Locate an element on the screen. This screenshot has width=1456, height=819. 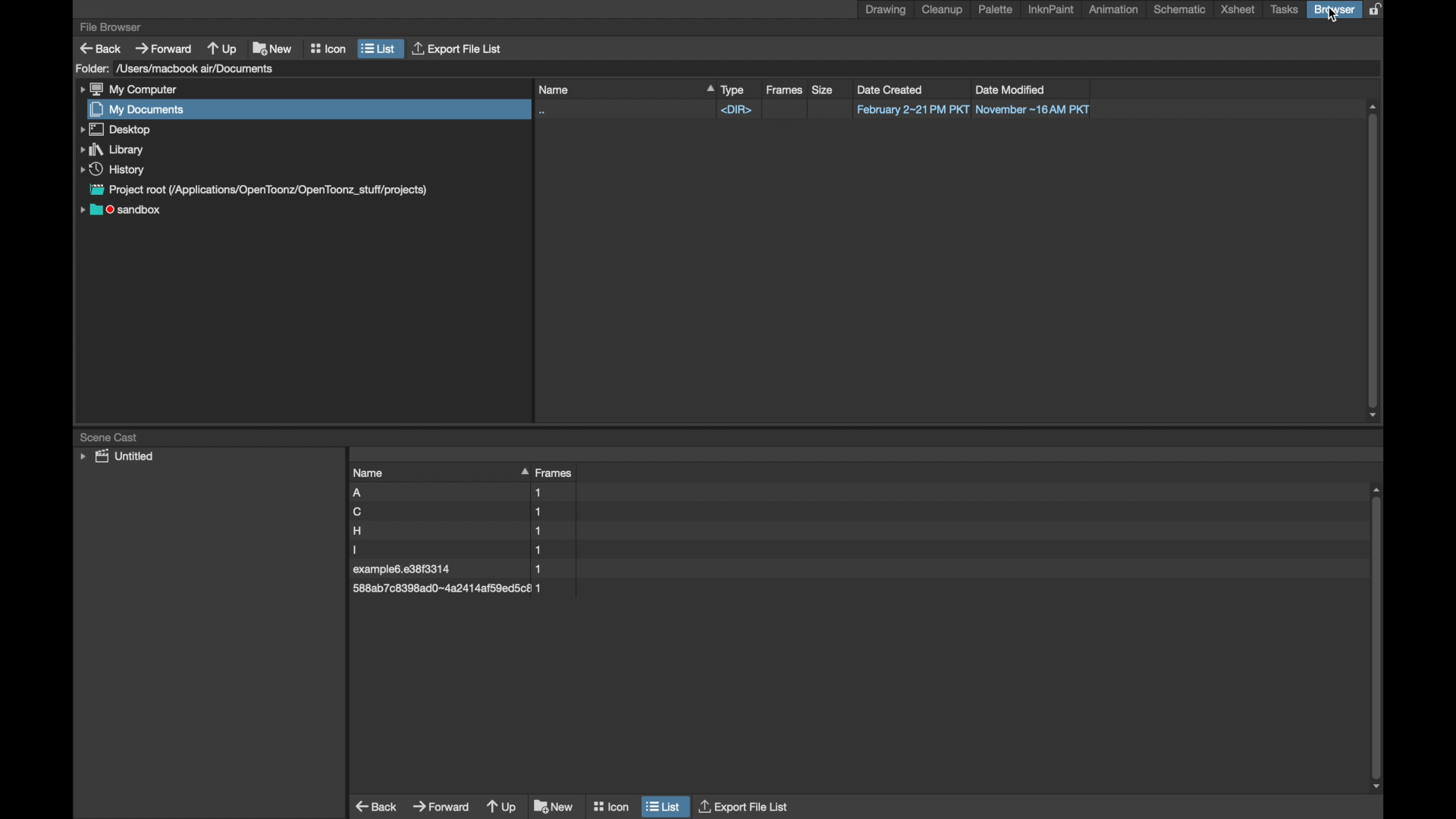
list is located at coordinates (664, 807).